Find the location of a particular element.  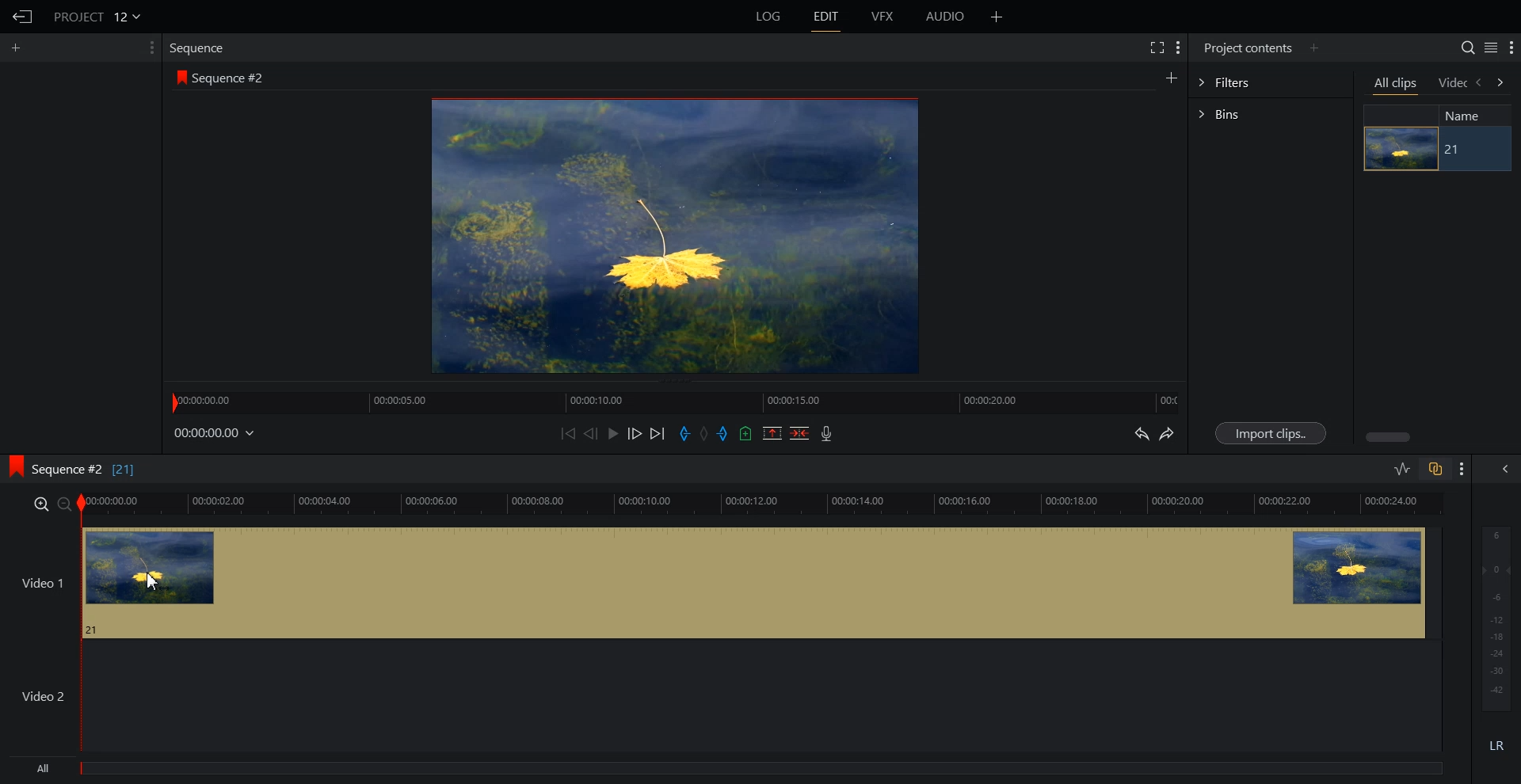

logo is located at coordinates (178, 78).